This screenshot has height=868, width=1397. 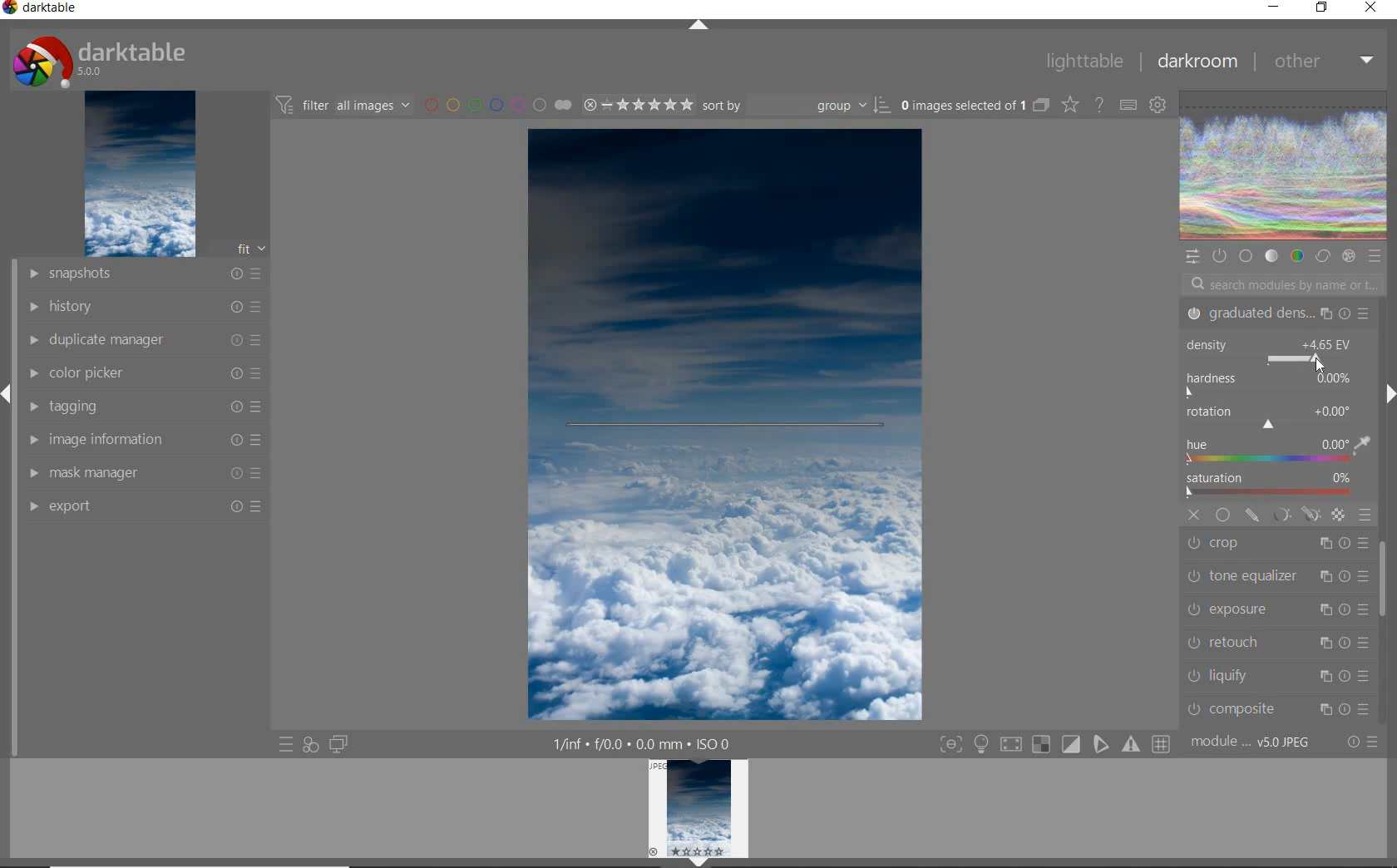 I want to click on CLOSE, so click(x=1195, y=515).